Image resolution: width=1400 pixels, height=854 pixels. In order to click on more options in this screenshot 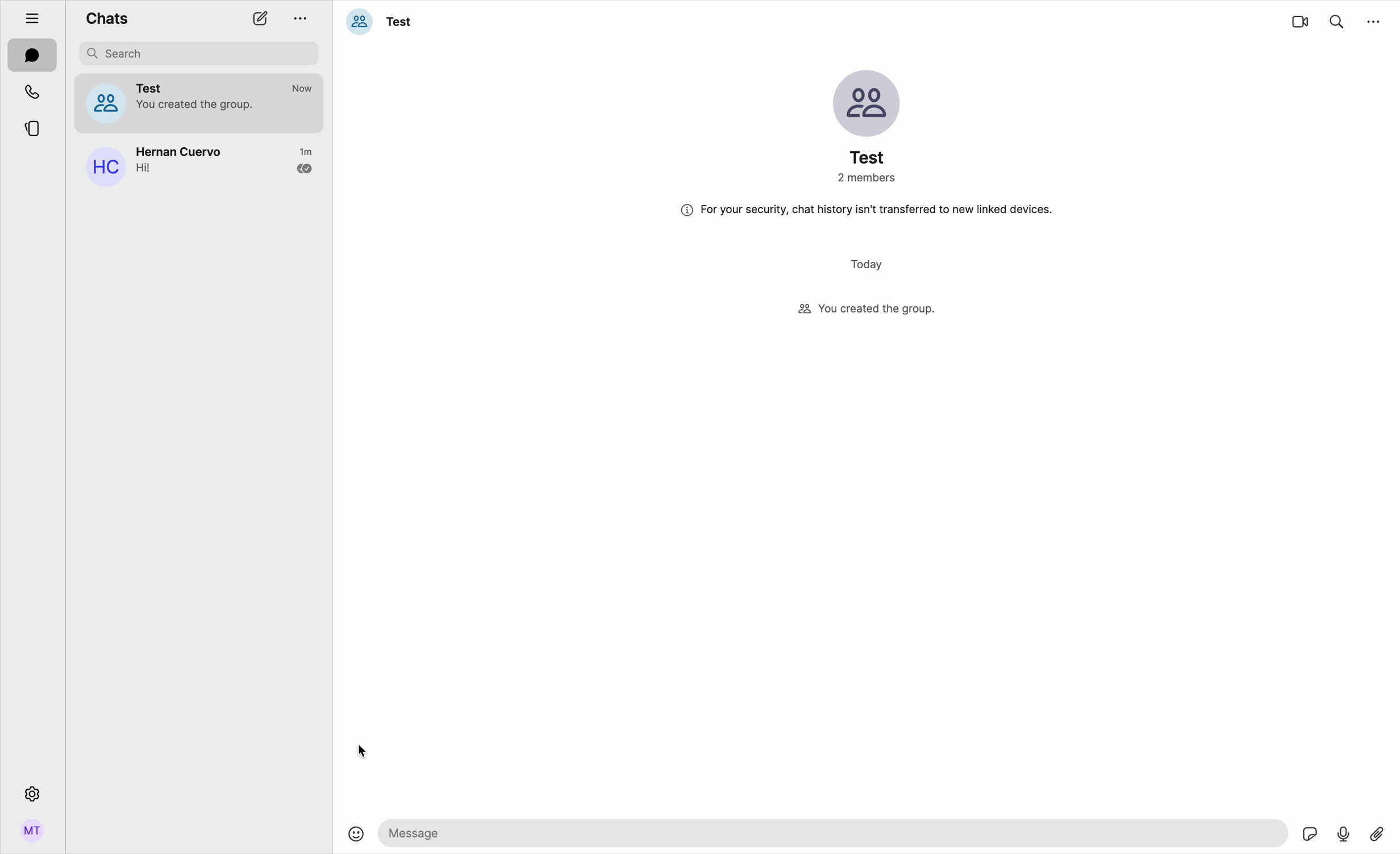, I will do `click(1374, 20)`.